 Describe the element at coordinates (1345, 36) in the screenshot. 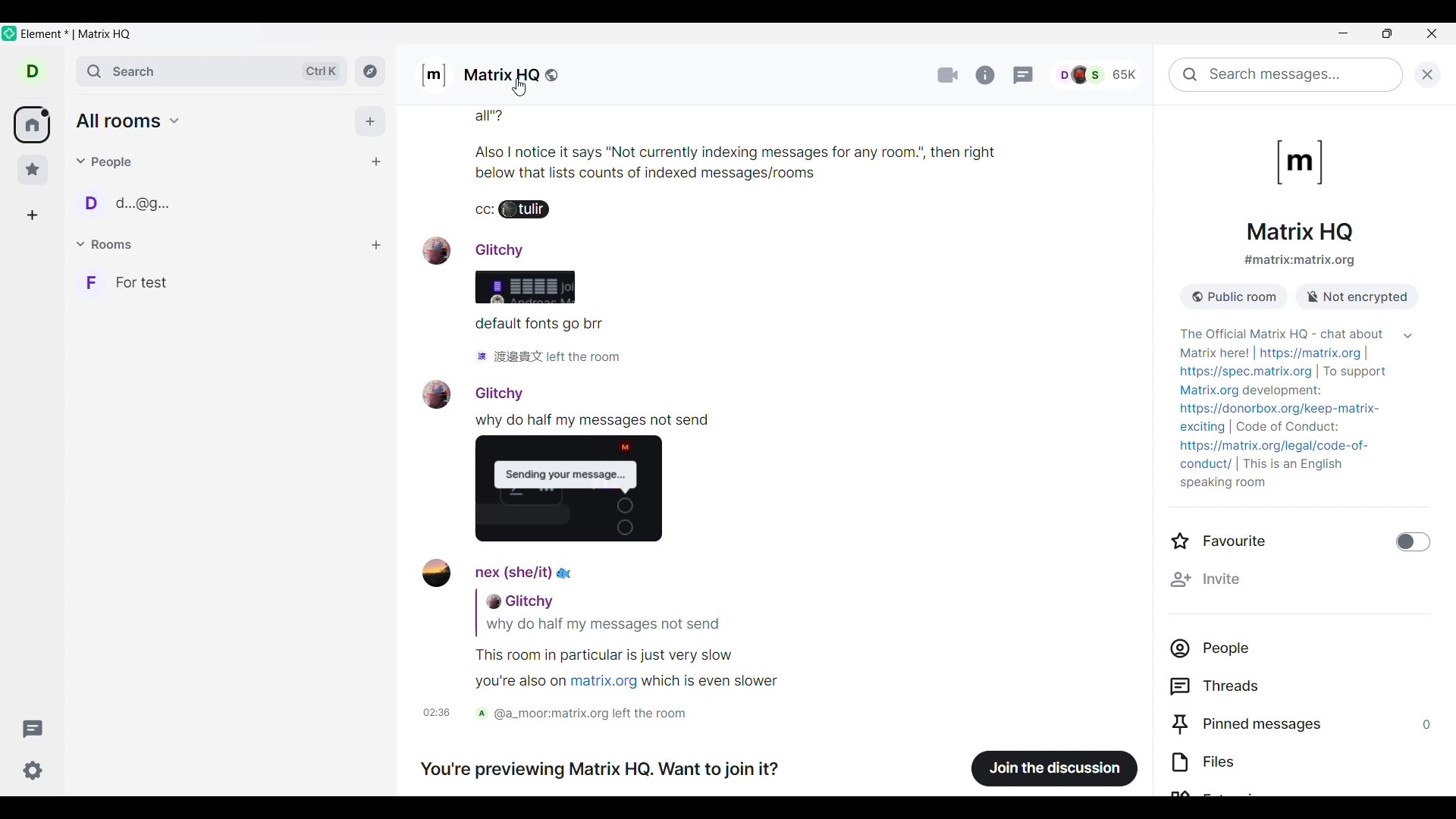

I see `Minimize` at that location.